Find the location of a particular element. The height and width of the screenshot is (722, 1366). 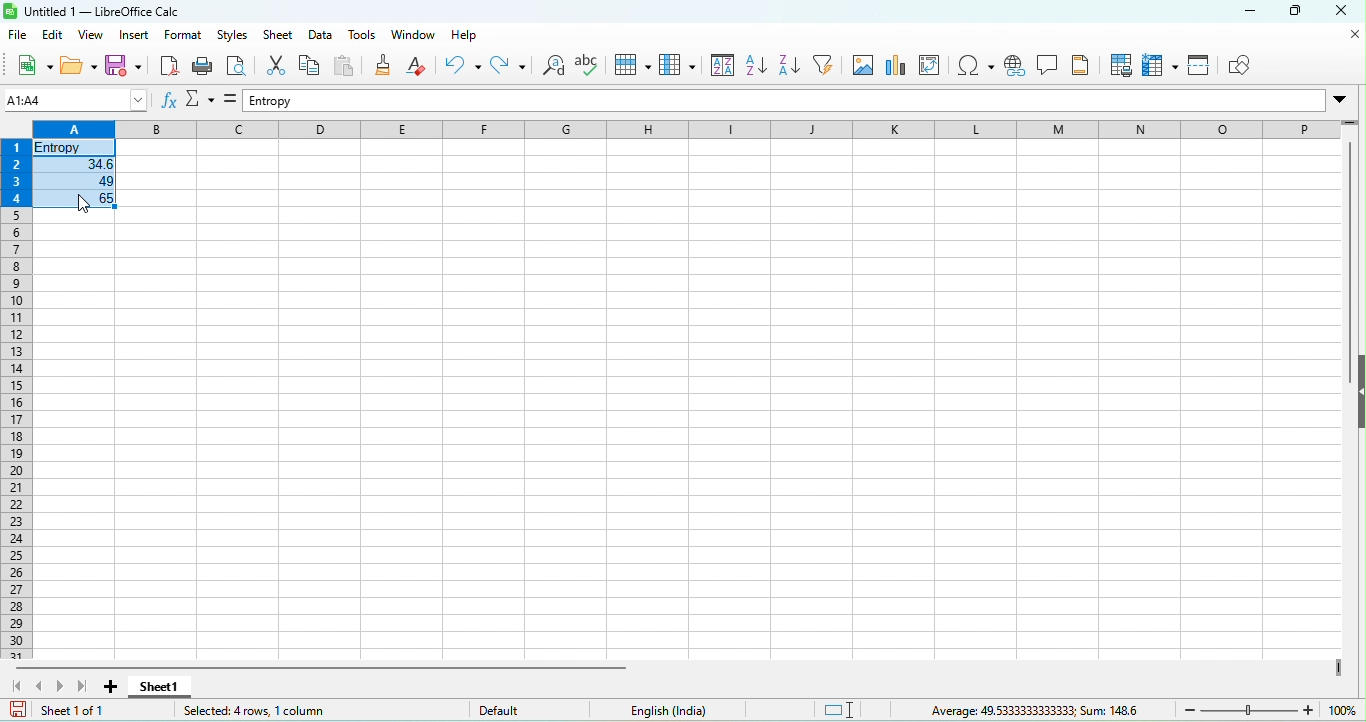

row is located at coordinates (630, 64).